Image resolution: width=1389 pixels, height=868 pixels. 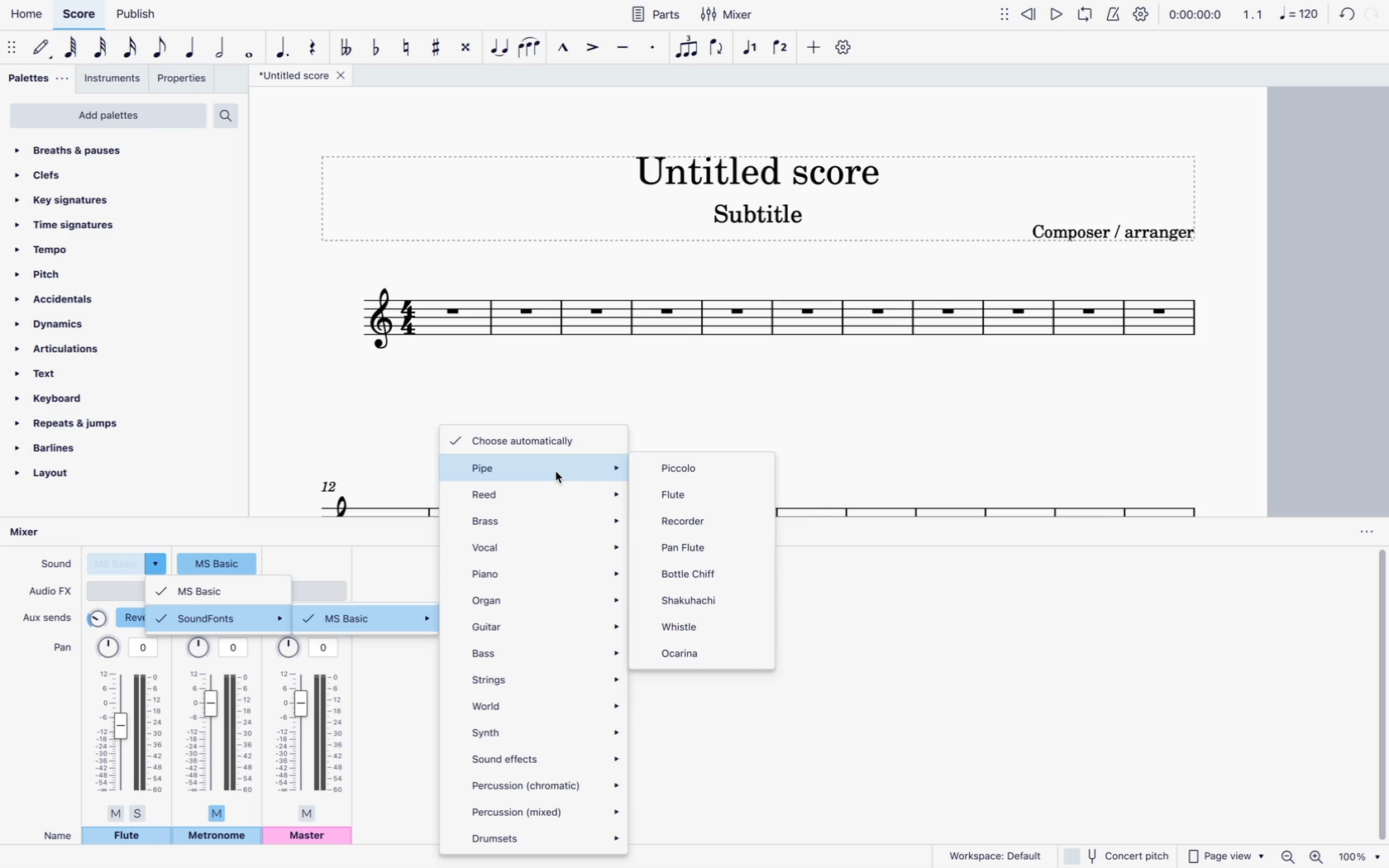 What do you see at coordinates (63, 479) in the screenshot?
I see `layout` at bounding box center [63, 479].